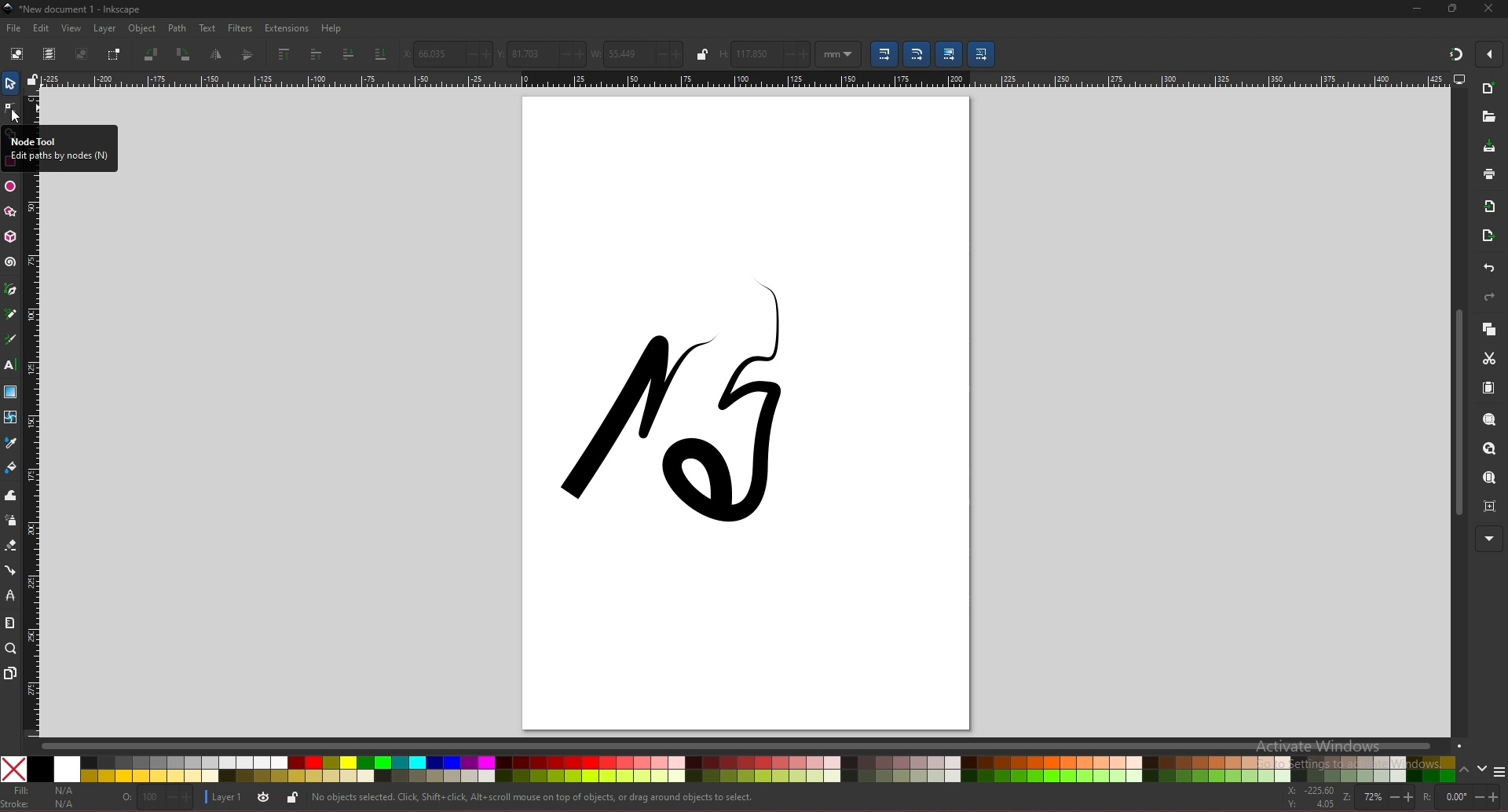 Image resolution: width=1508 pixels, height=812 pixels. What do you see at coordinates (1488, 420) in the screenshot?
I see `zoom selection` at bounding box center [1488, 420].